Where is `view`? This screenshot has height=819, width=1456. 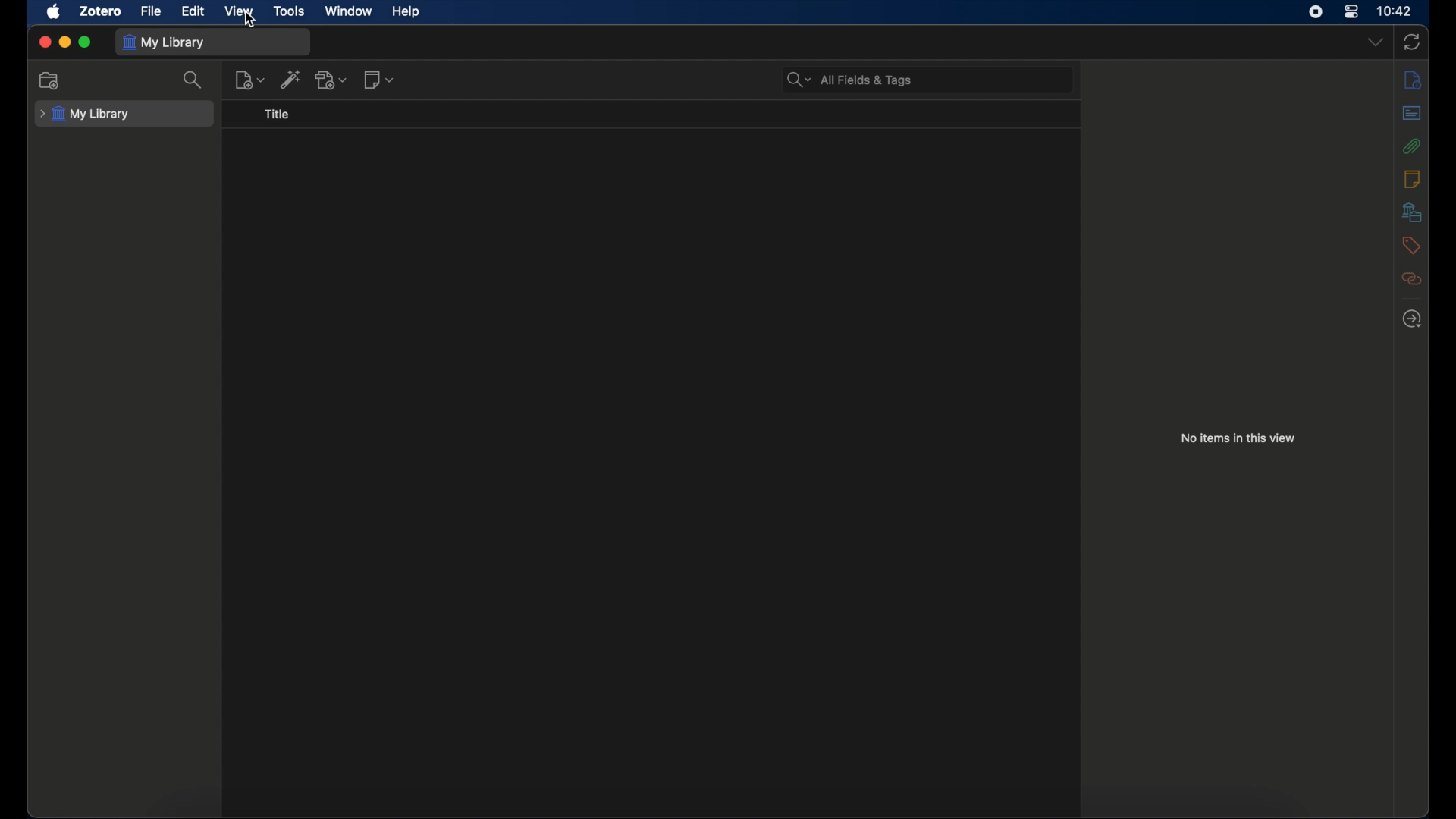
view is located at coordinates (238, 11).